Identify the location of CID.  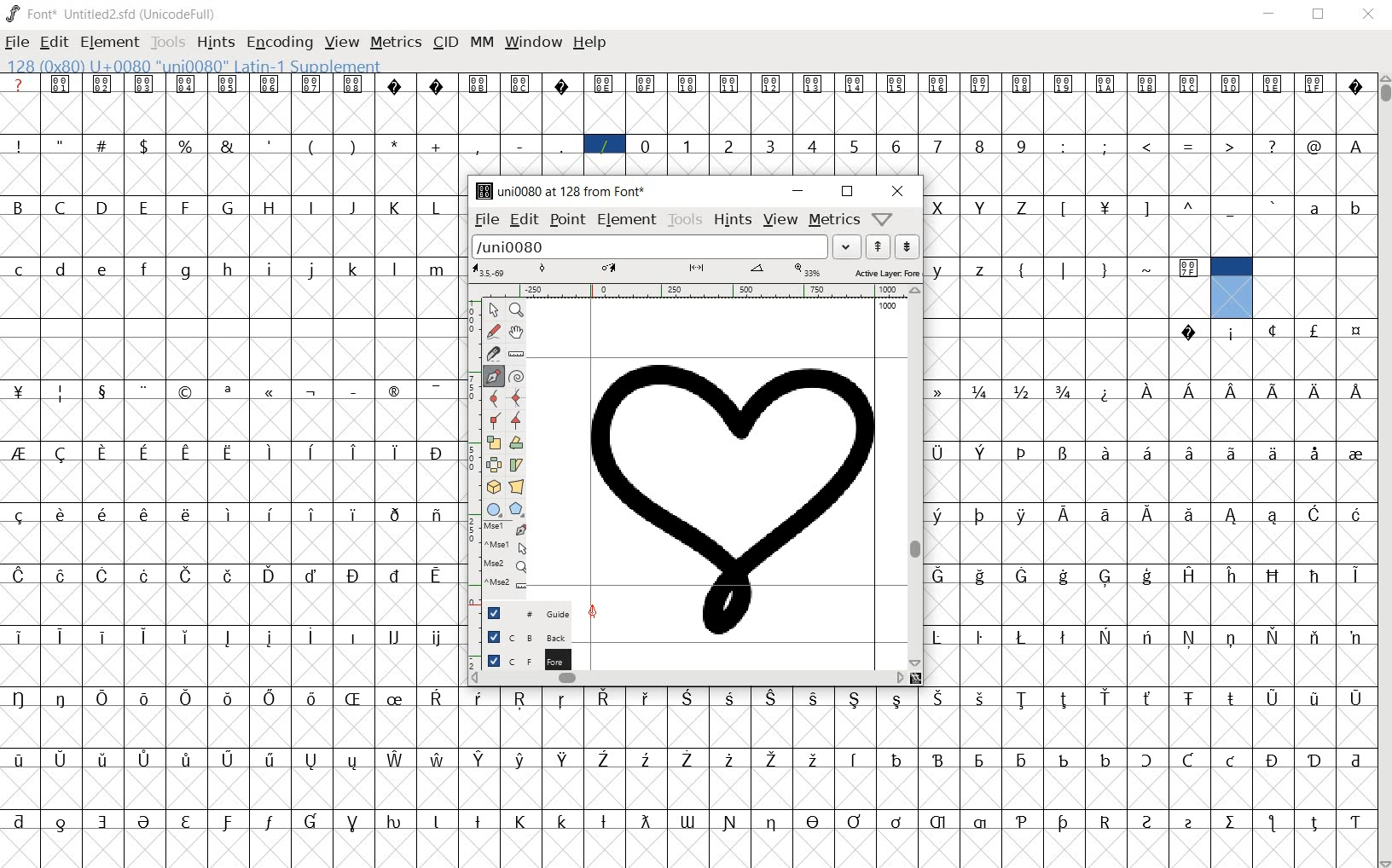
(445, 43).